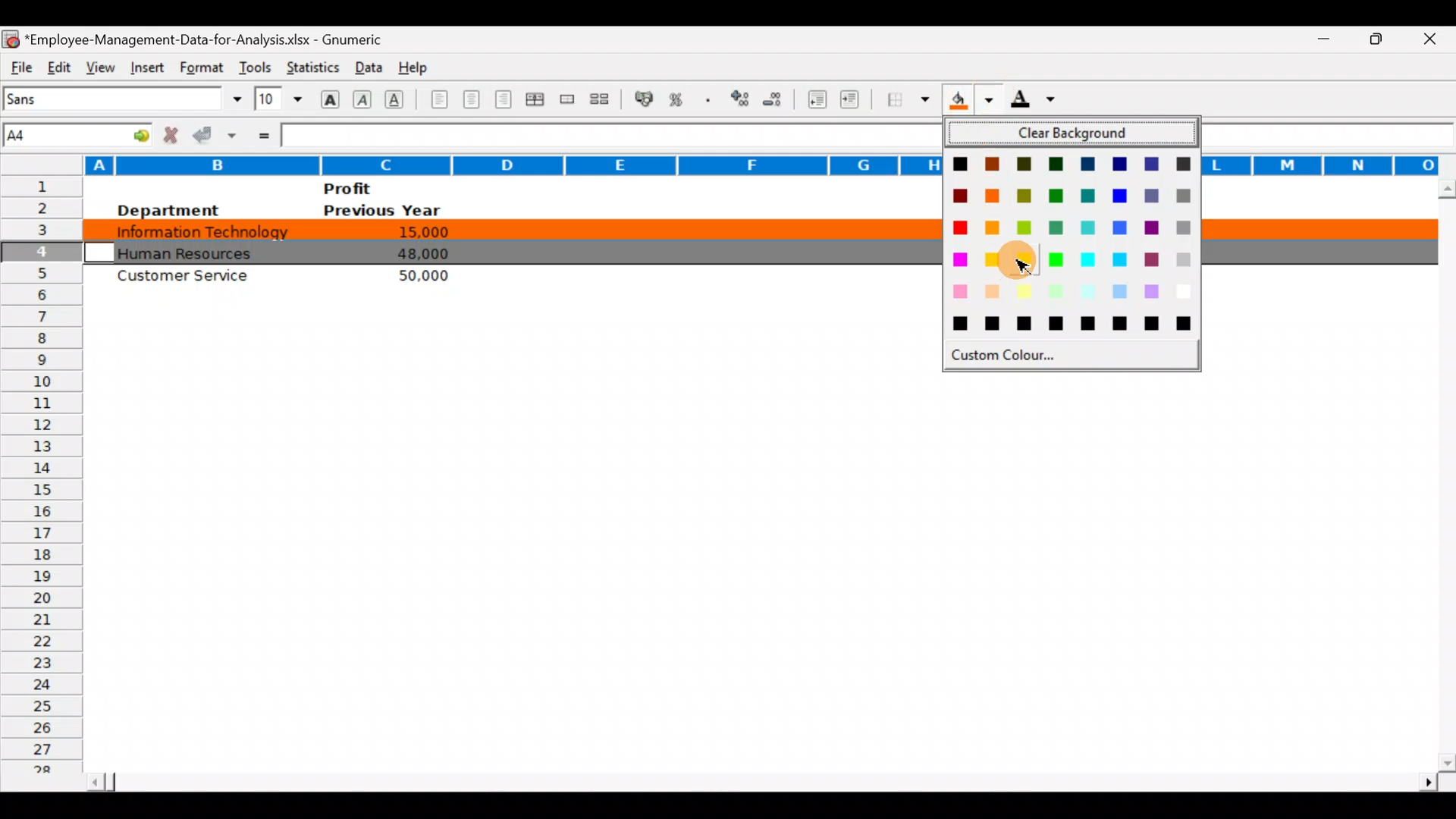 The height and width of the screenshot is (819, 1456). Describe the element at coordinates (1009, 262) in the screenshot. I see `Cursor on yellow color` at that location.